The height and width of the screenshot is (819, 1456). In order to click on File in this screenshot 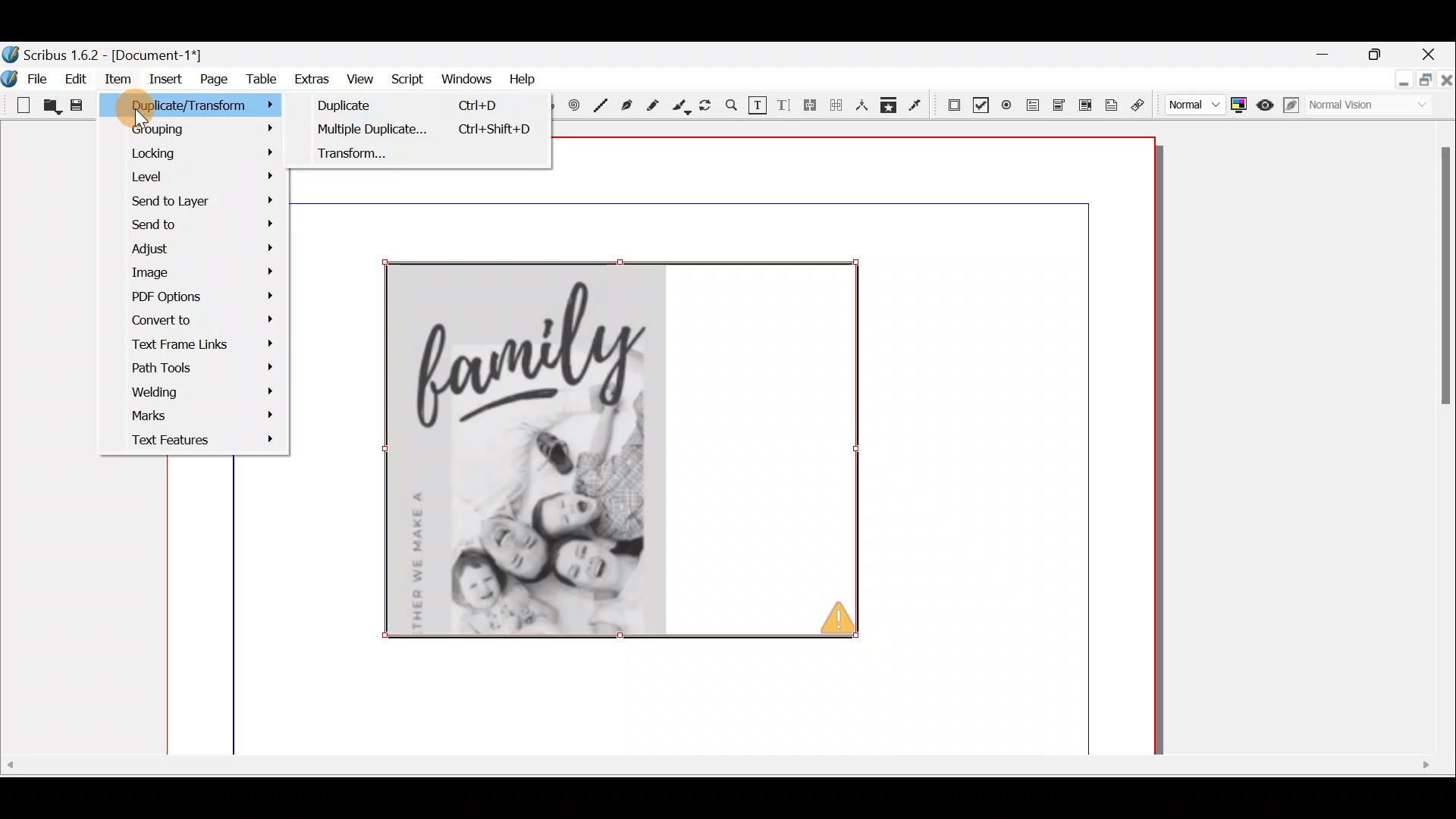, I will do `click(27, 77)`.